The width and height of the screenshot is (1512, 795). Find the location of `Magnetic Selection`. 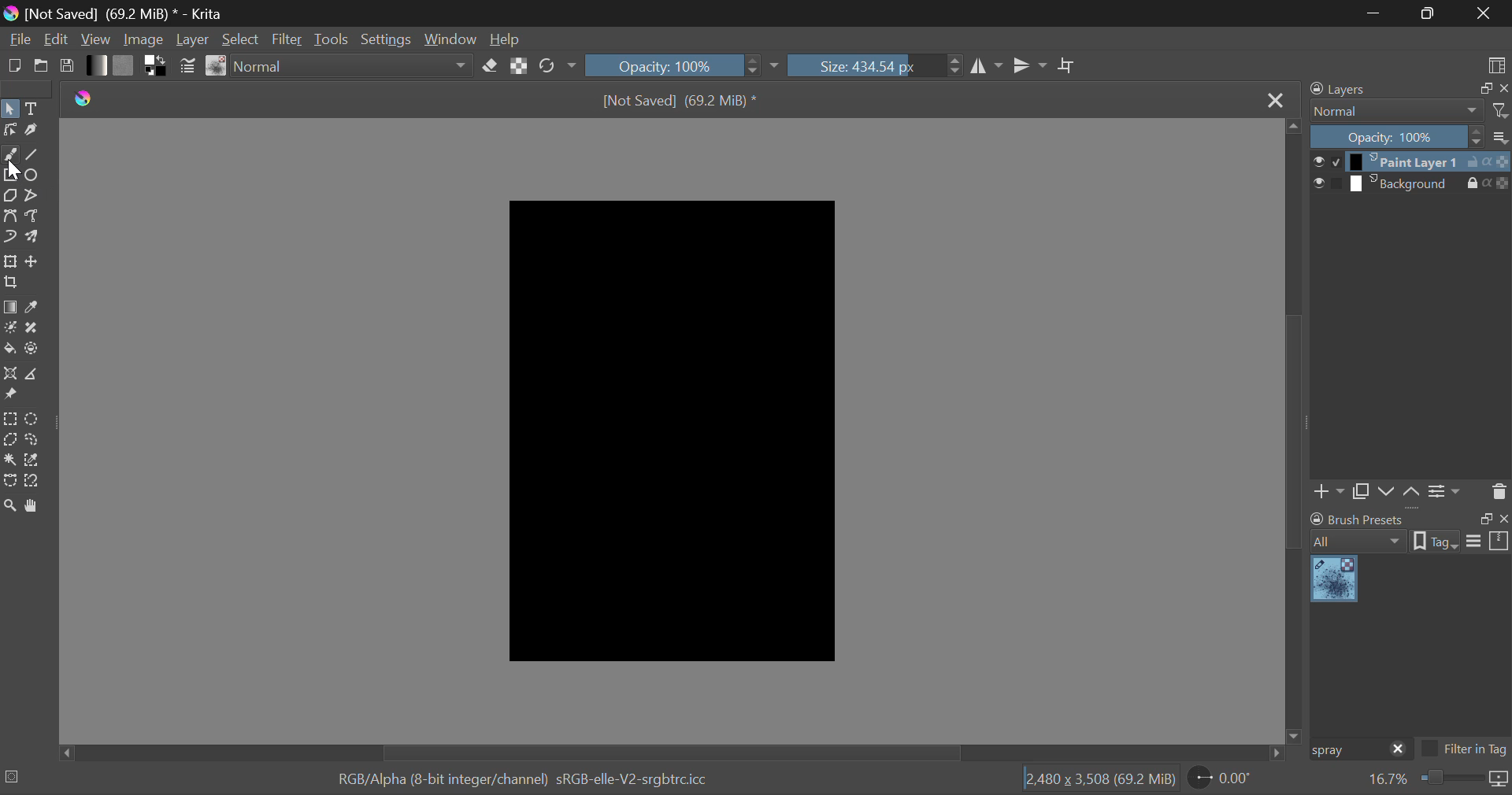

Magnetic Selection is located at coordinates (37, 482).